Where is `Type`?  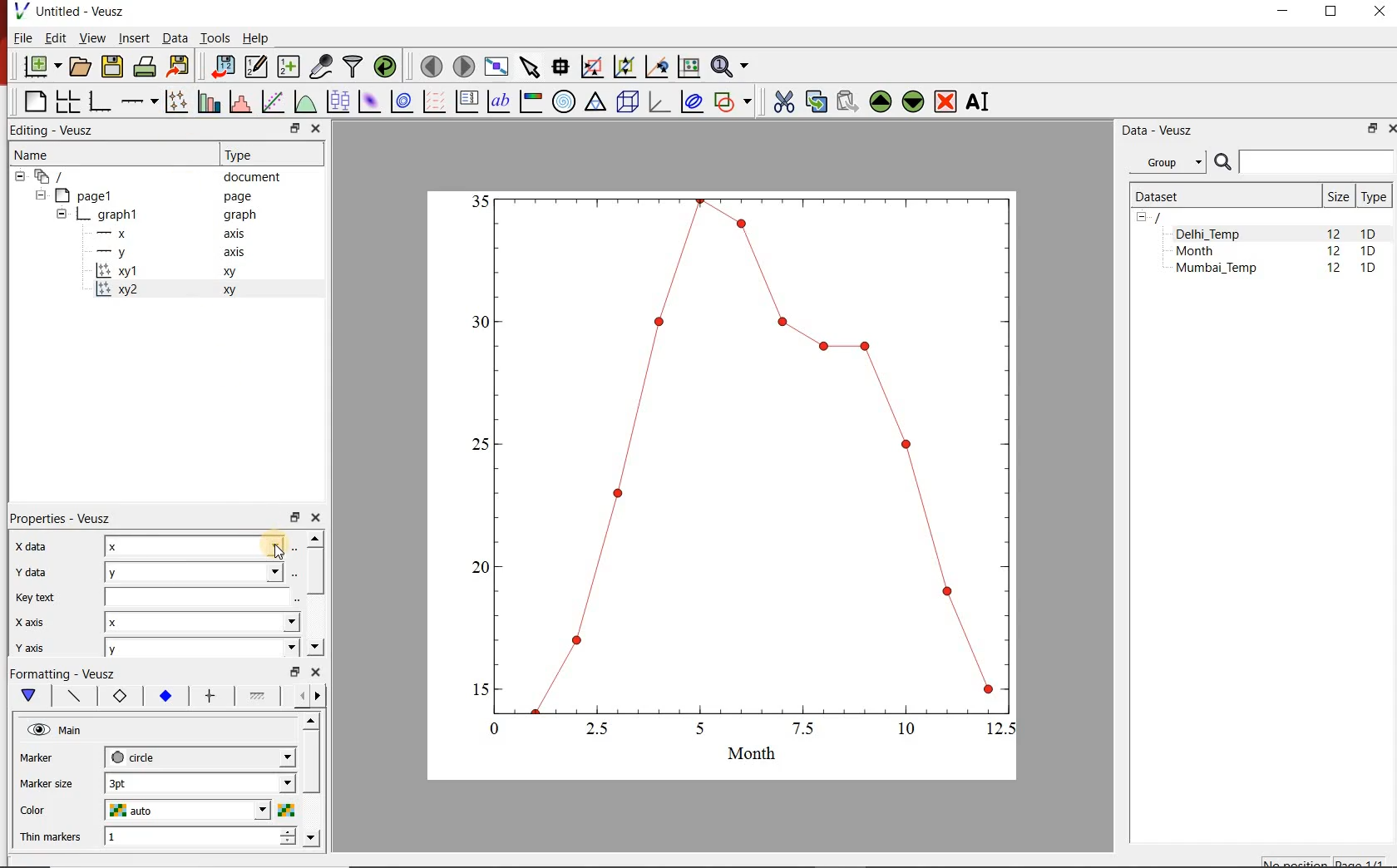 Type is located at coordinates (1374, 196).